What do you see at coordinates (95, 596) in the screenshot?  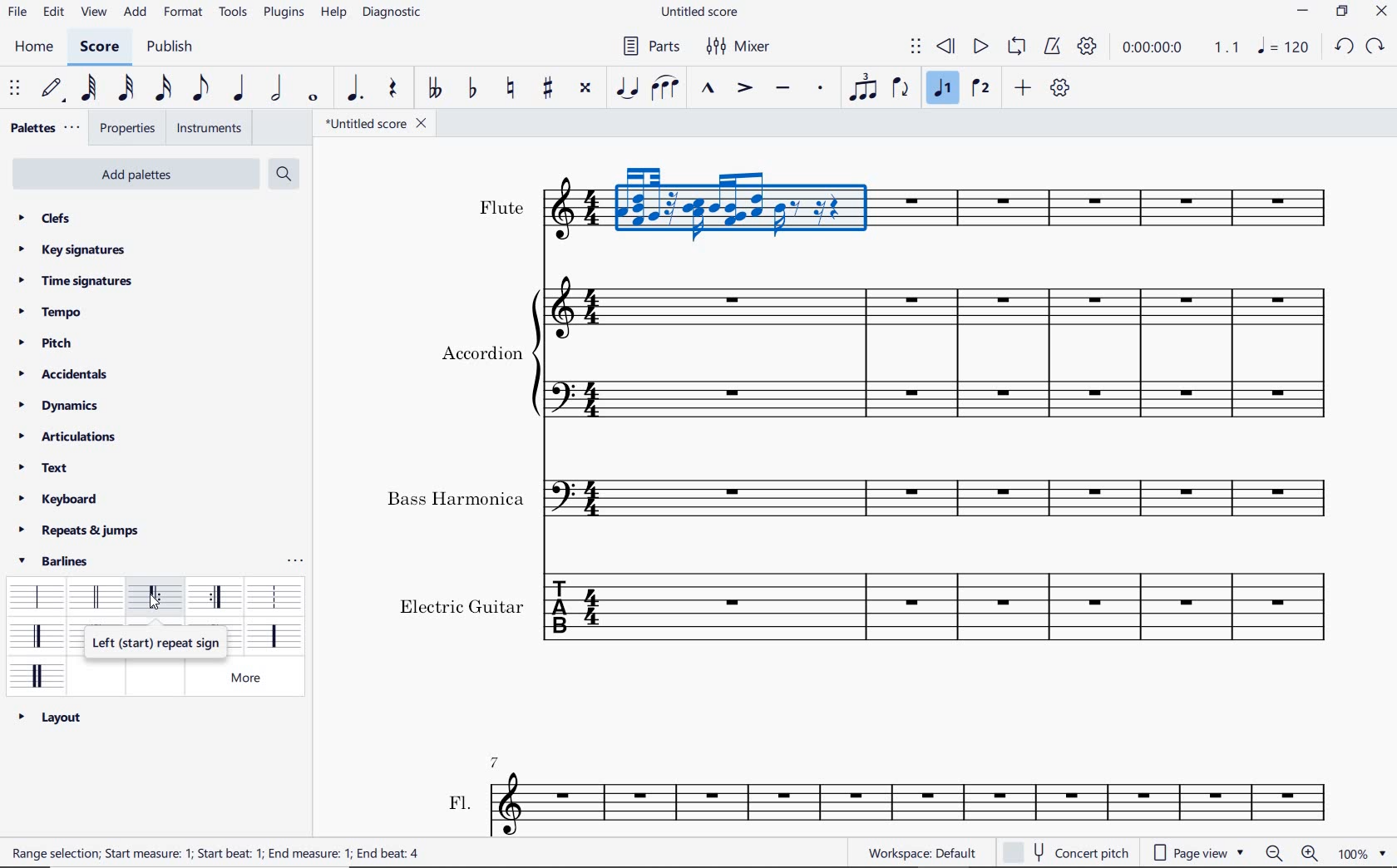 I see `double bar line` at bounding box center [95, 596].